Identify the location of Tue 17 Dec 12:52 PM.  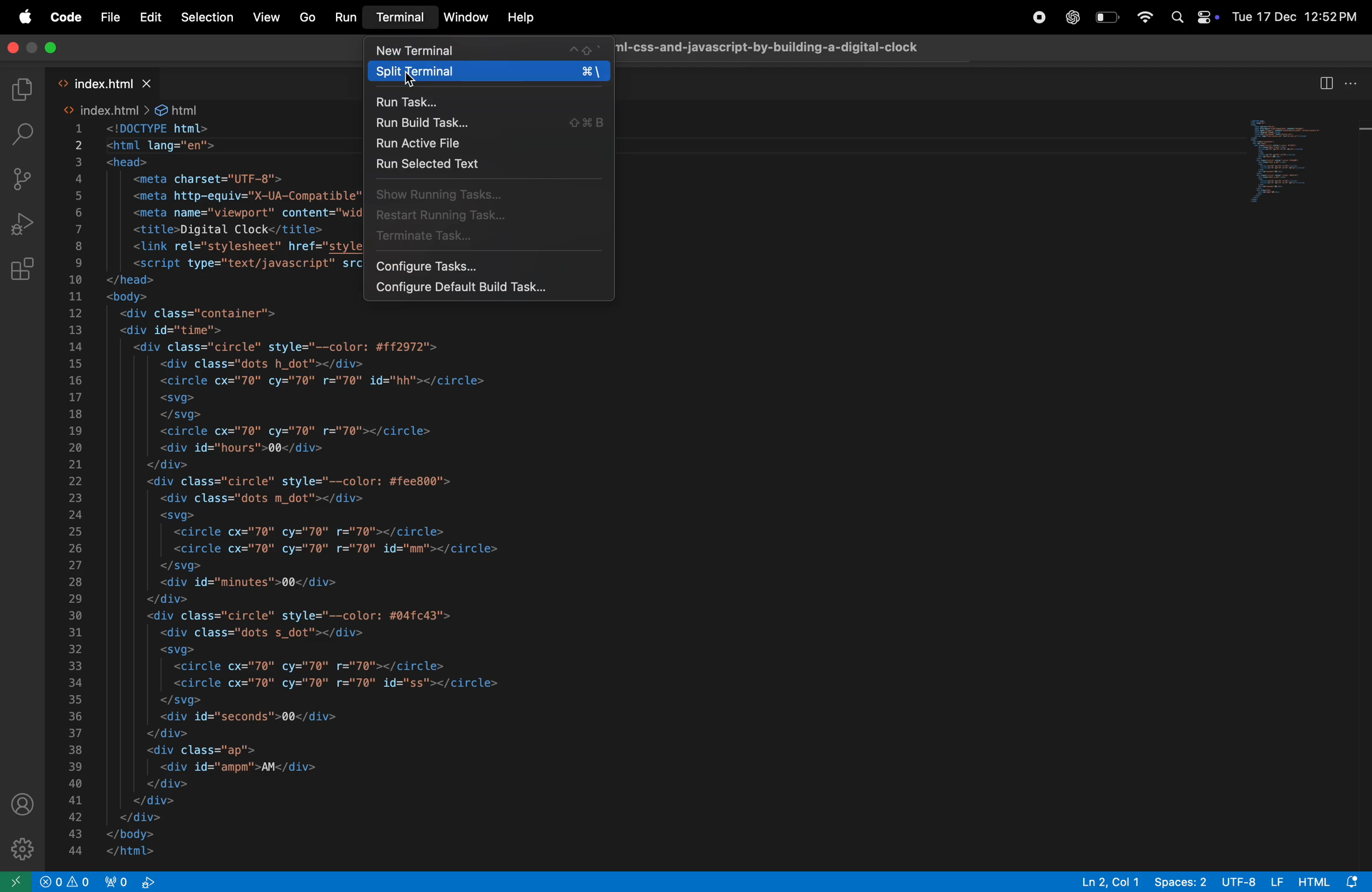
(1295, 14).